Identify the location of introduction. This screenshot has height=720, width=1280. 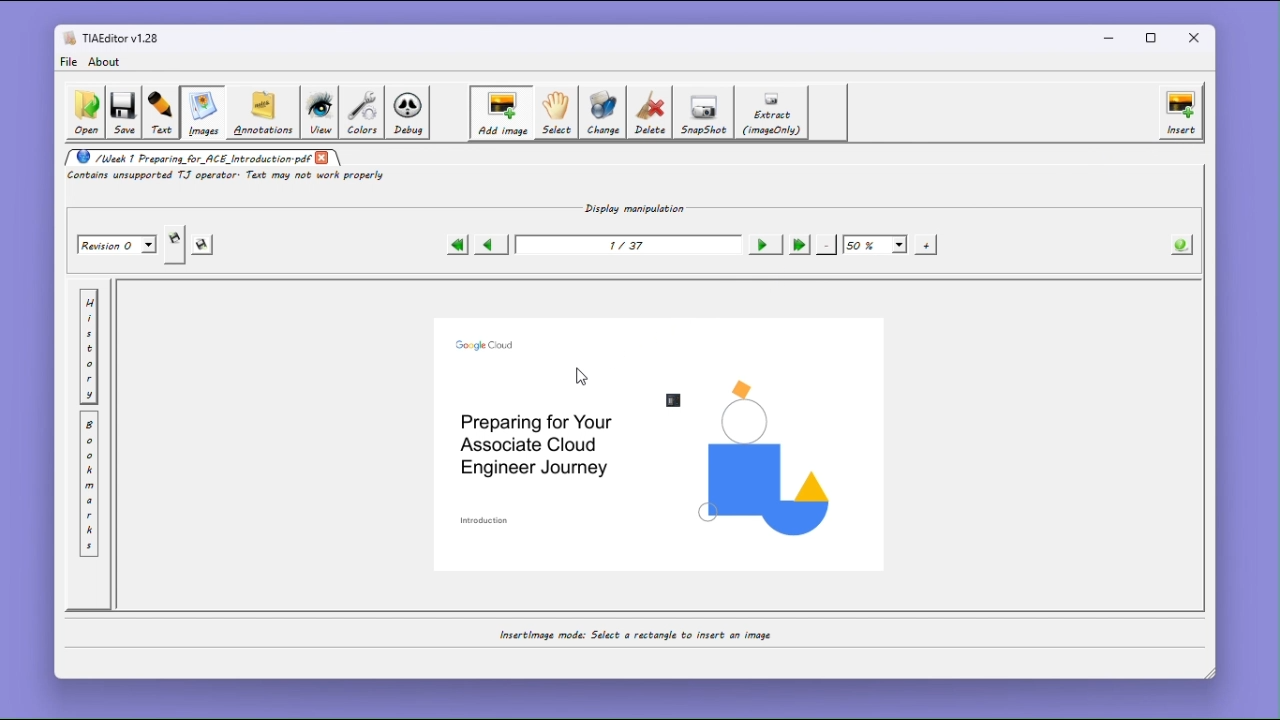
(486, 520).